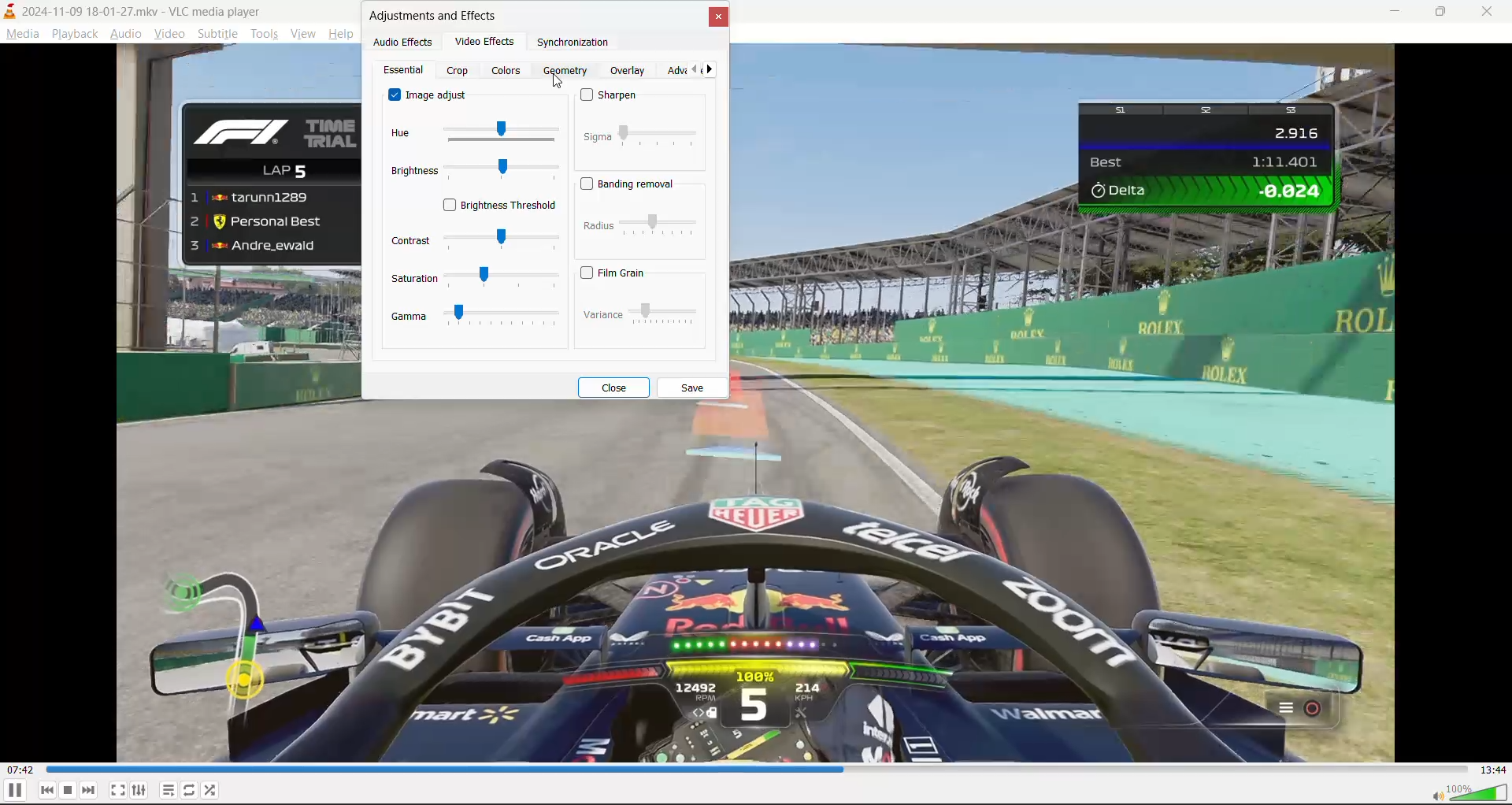 The image size is (1512, 805). Describe the element at coordinates (1468, 792) in the screenshot. I see `volume` at that location.